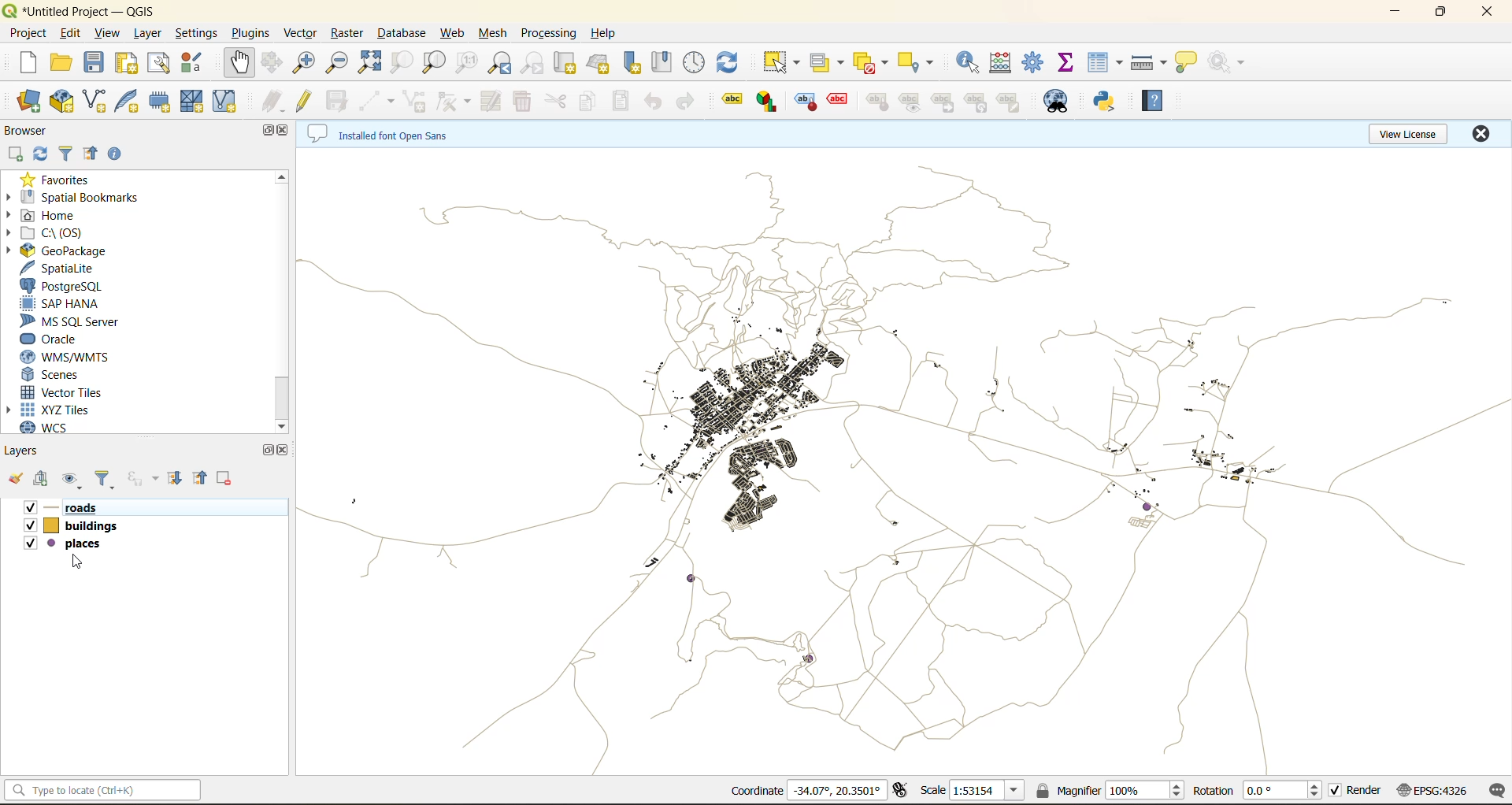 The width and height of the screenshot is (1512, 805). I want to click on show spatial bookmark, so click(665, 63).